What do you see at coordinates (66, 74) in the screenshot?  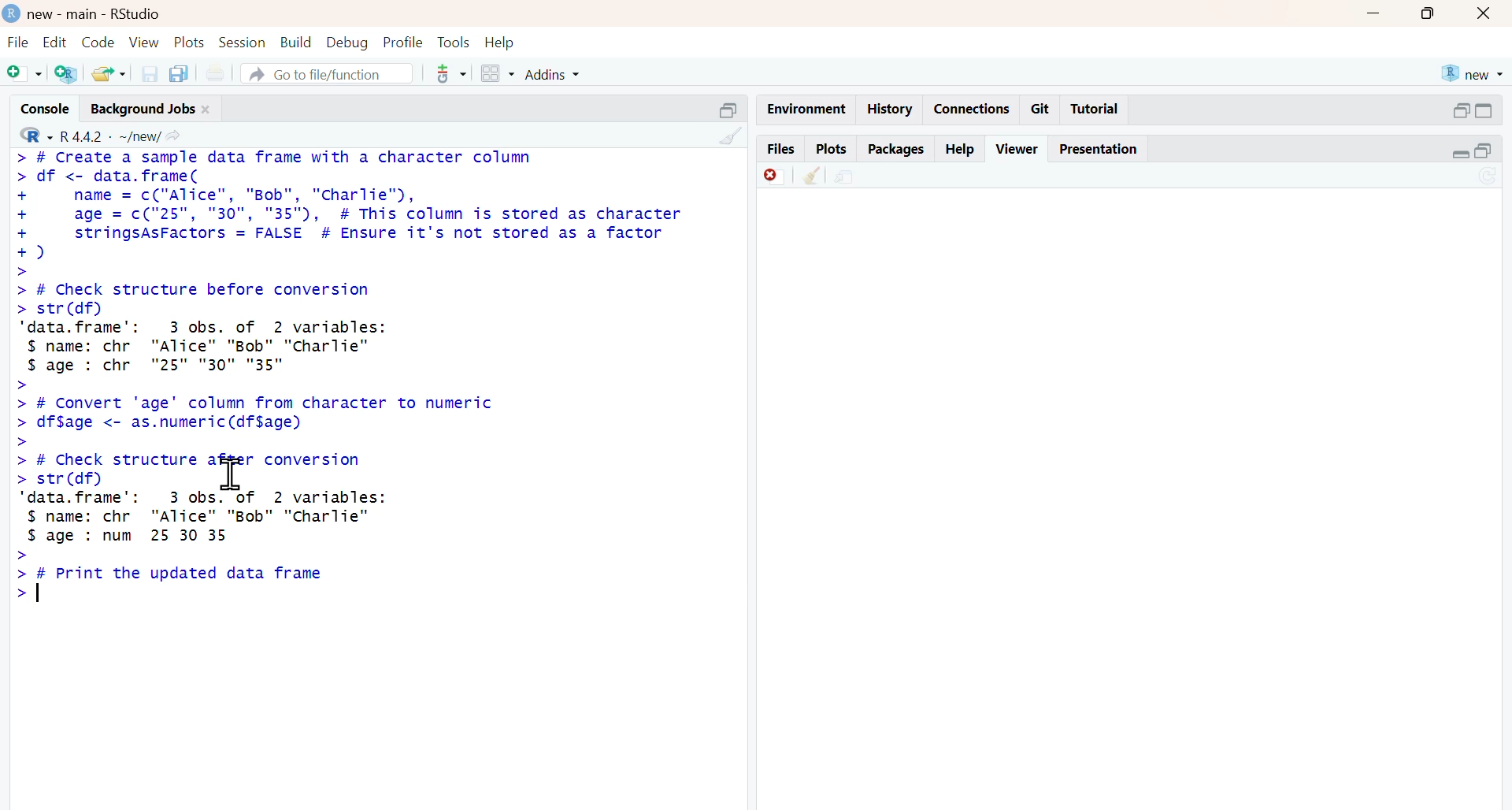 I see `add R file` at bounding box center [66, 74].